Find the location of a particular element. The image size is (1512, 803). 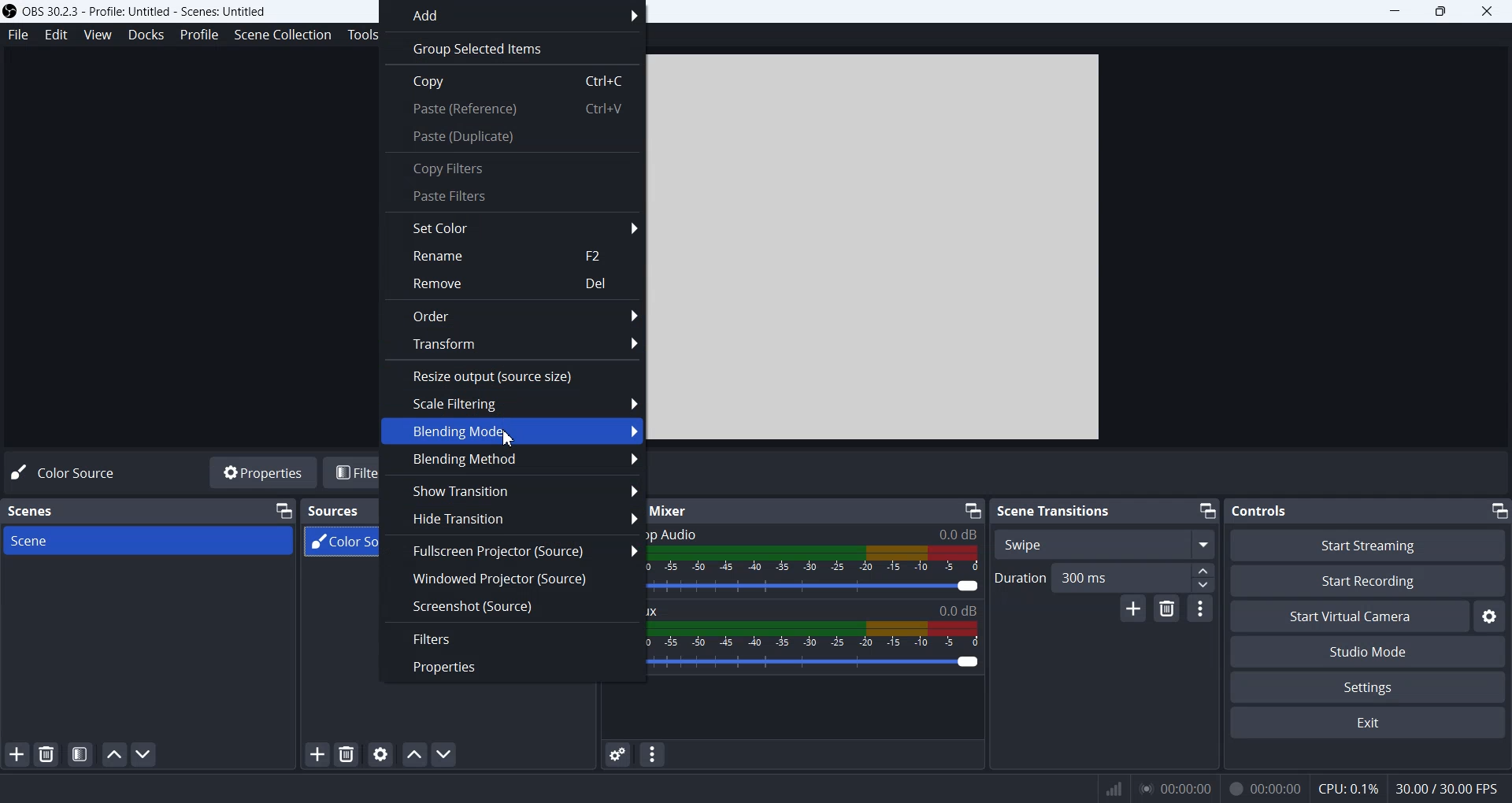

Scale Filtering is located at coordinates (512, 403).